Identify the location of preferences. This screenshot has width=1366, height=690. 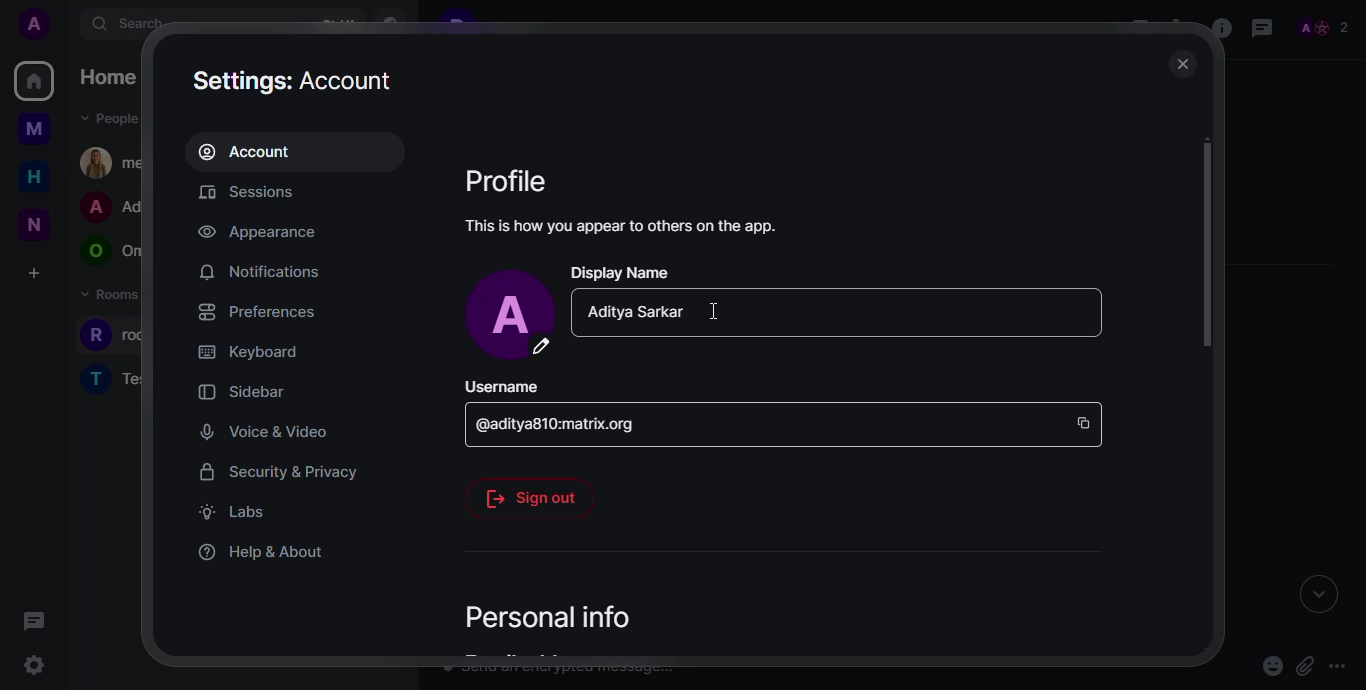
(257, 311).